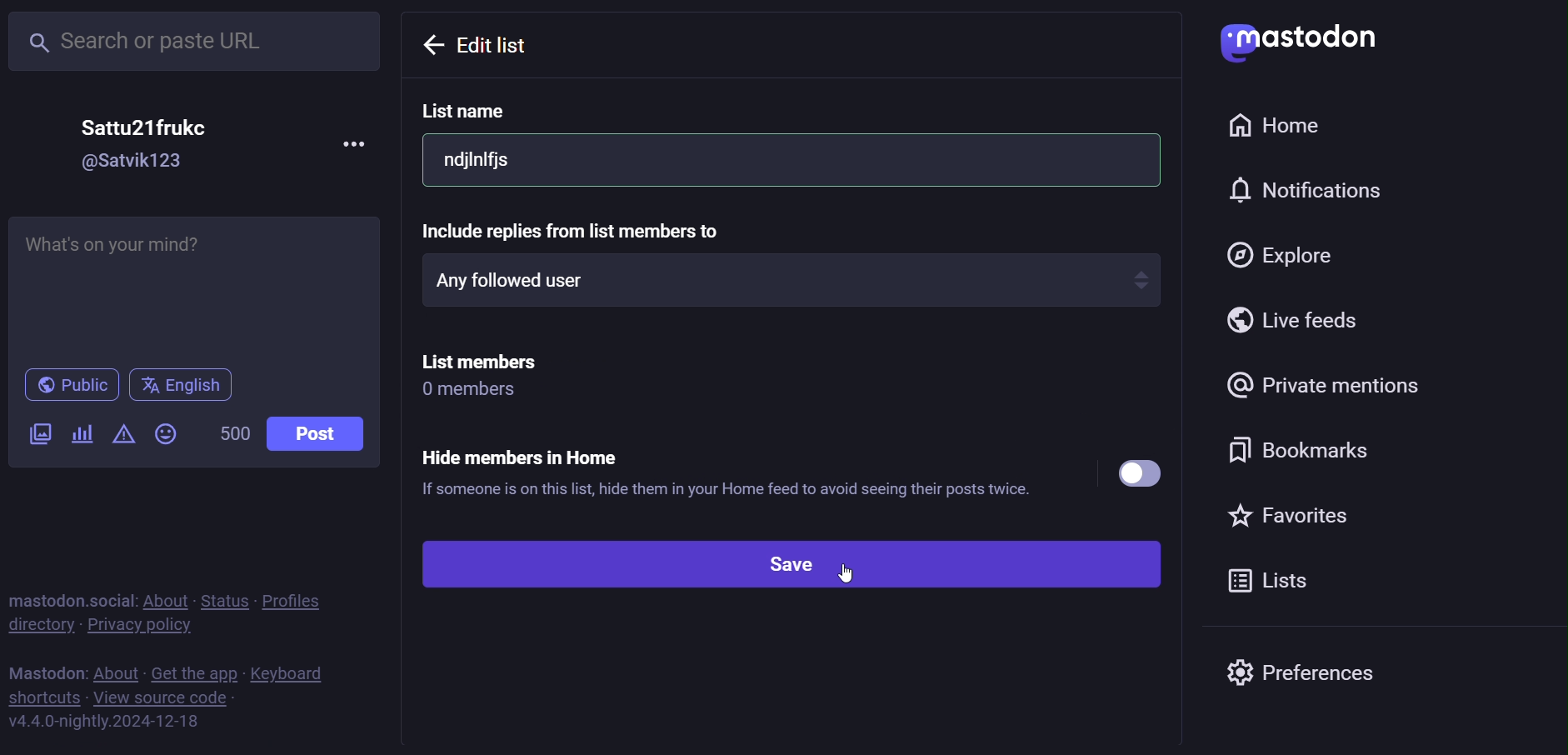  Describe the element at coordinates (1286, 127) in the screenshot. I see `home` at that location.